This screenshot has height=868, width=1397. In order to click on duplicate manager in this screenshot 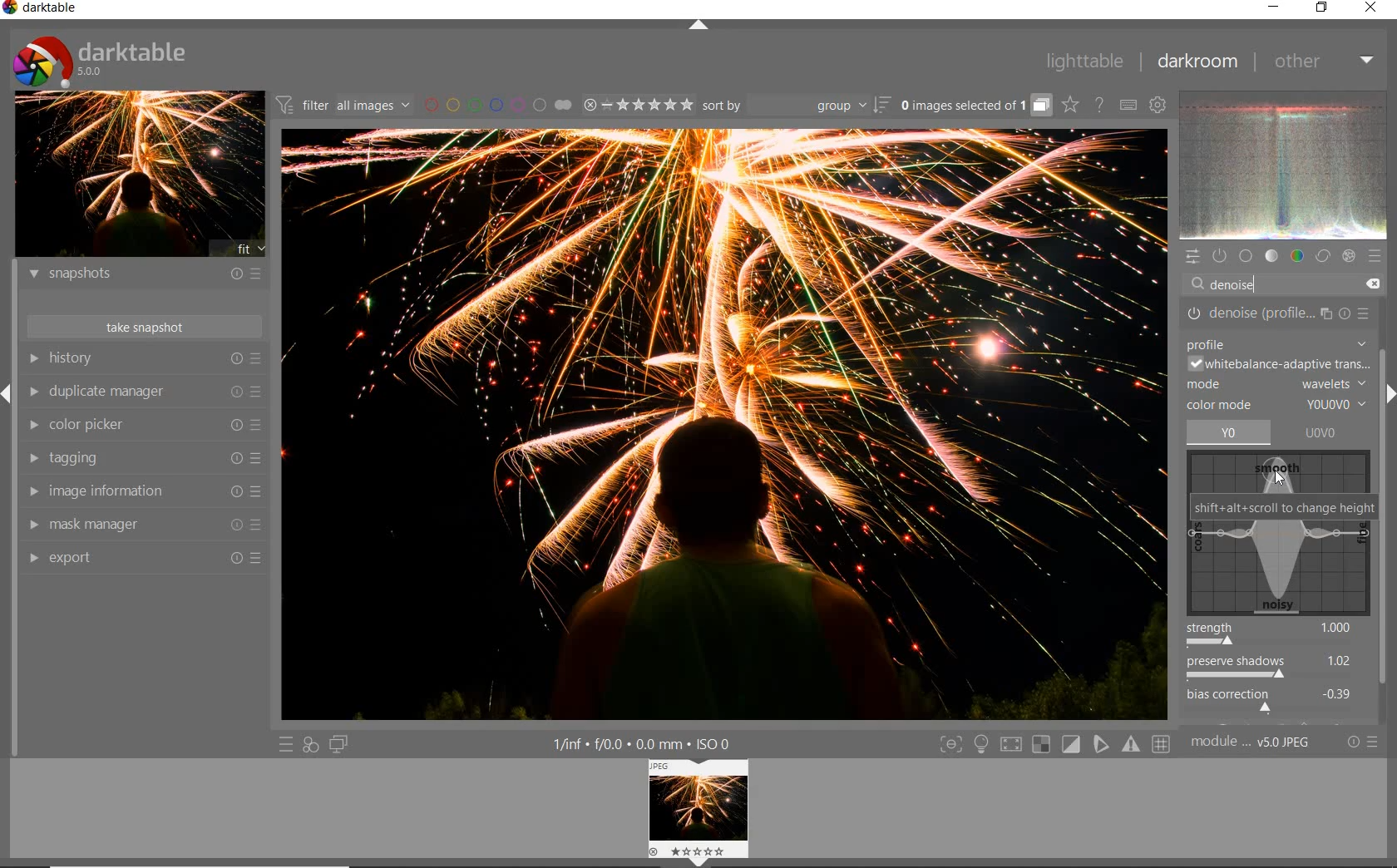, I will do `click(146, 392)`.